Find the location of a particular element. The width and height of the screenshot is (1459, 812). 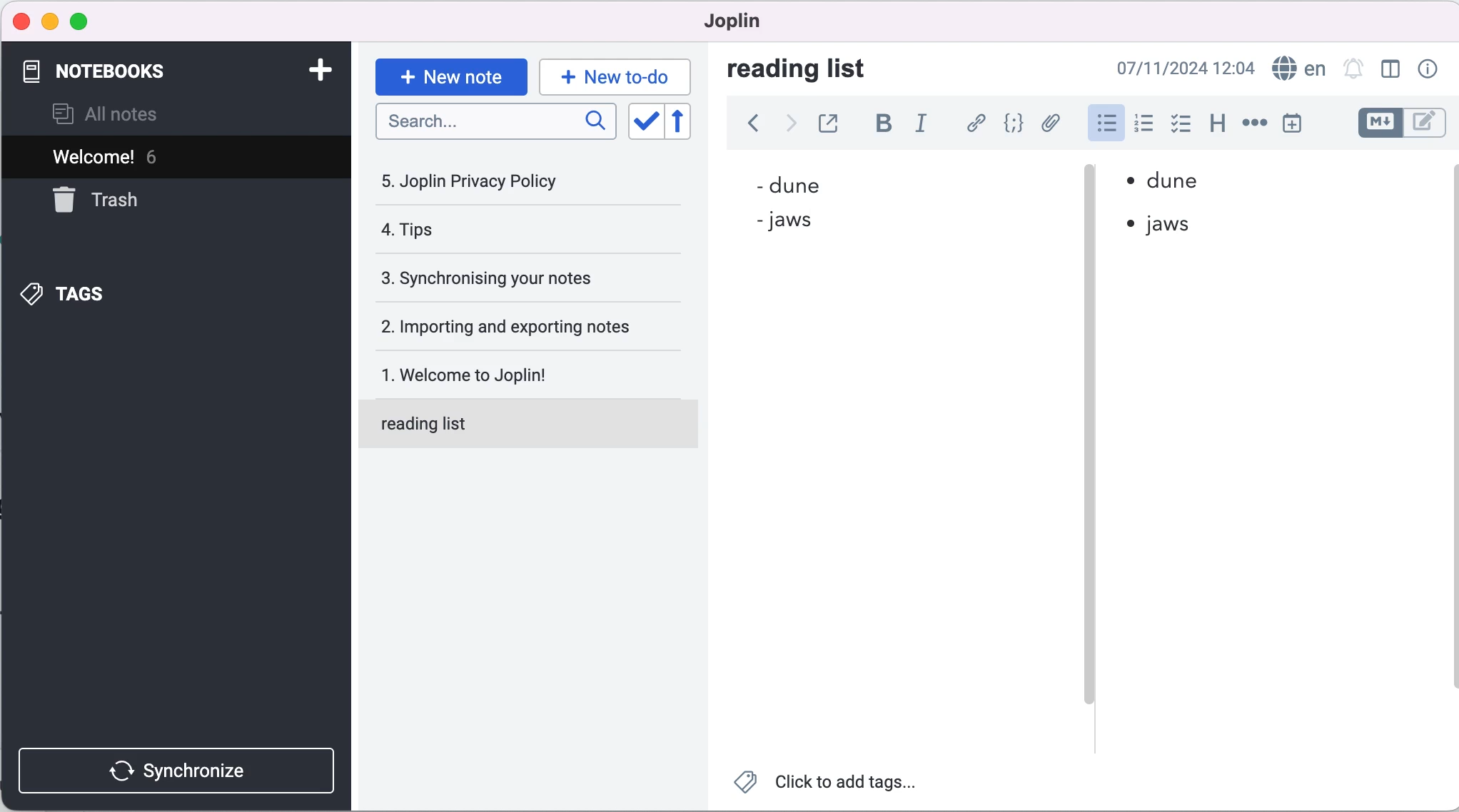

forward is located at coordinates (792, 123).